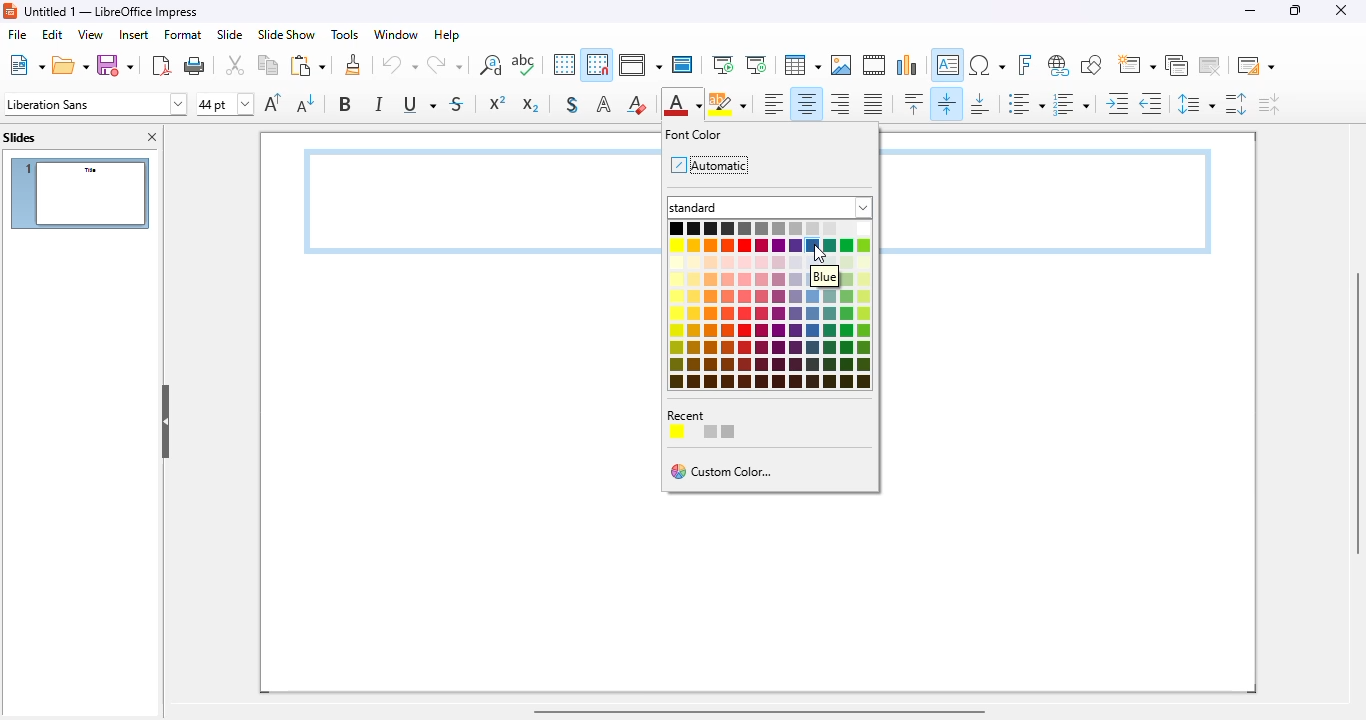 The width and height of the screenshot is (1366, 720). I want to click on title, so click(113, 11).